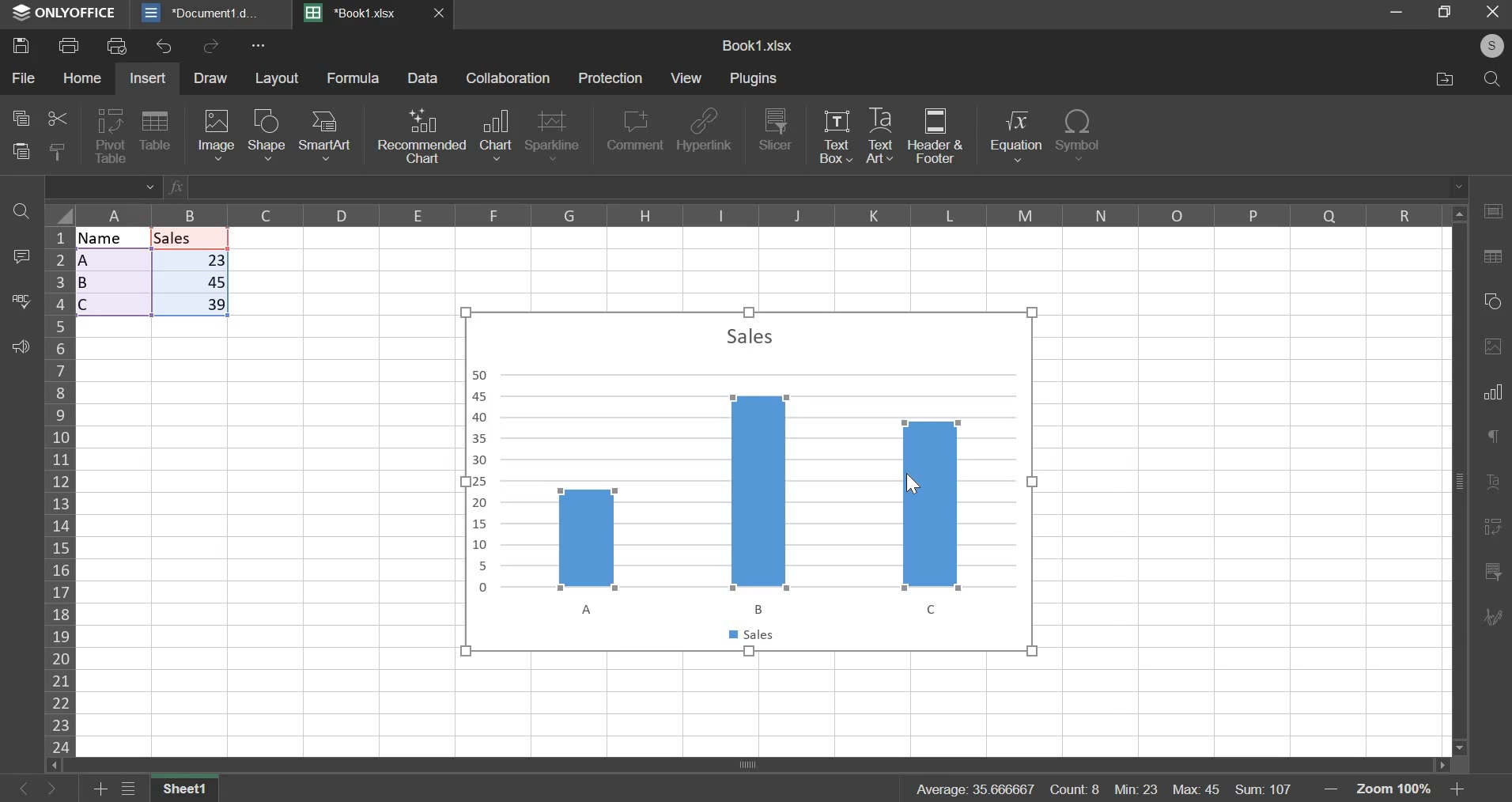  Describe the element at coordinates (185, 790) in the screenshot. I see `sheet 1` at that location.